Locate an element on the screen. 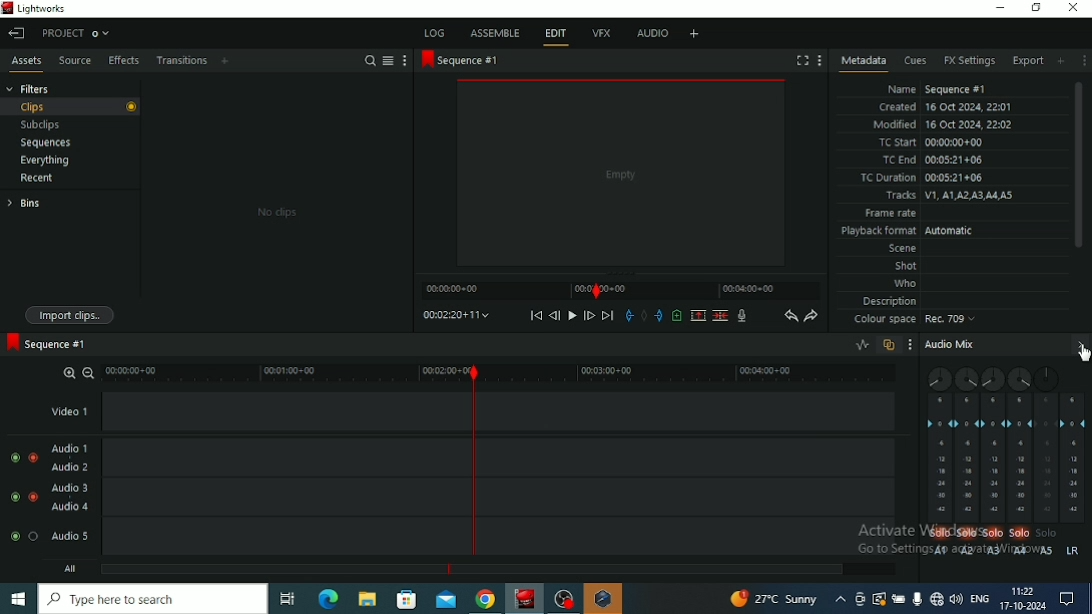 The width and height of the screenshot is (1092, 614). Audio Mix A2 is located at coordinates (966, 460).